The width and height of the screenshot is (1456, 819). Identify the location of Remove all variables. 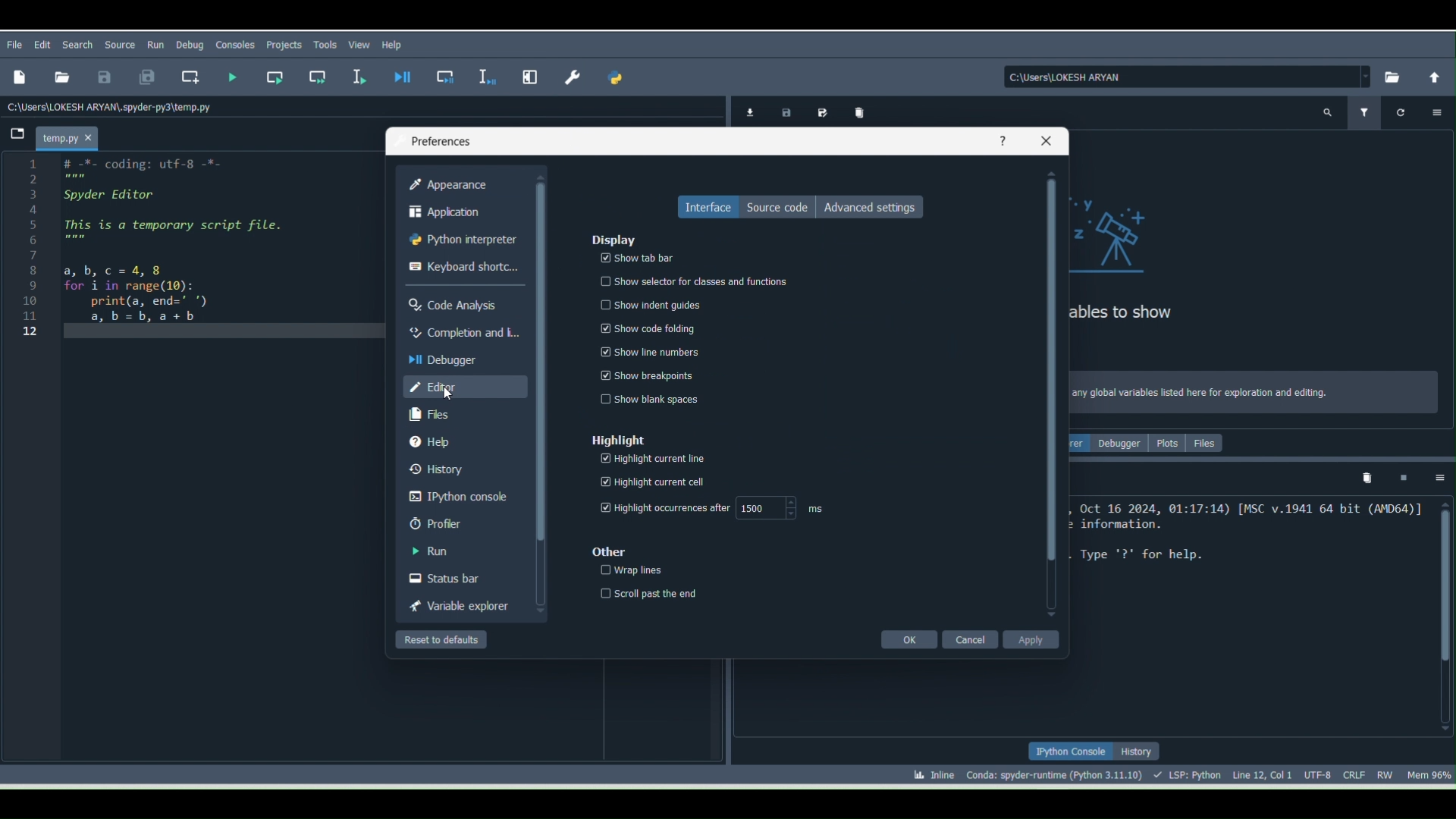
(861, 111).